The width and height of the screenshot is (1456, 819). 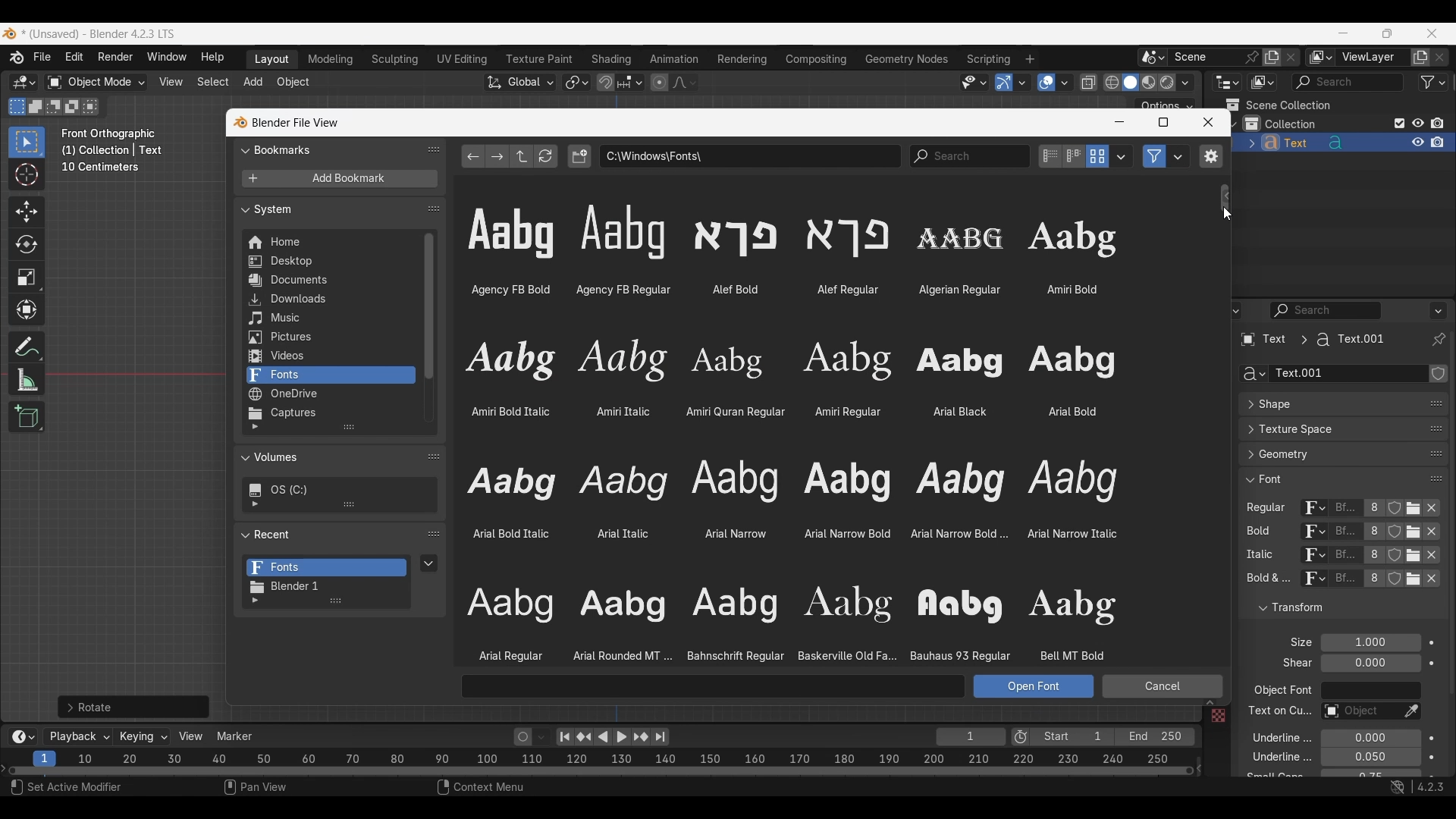 I want to click on , so click(x=1311, y=557).